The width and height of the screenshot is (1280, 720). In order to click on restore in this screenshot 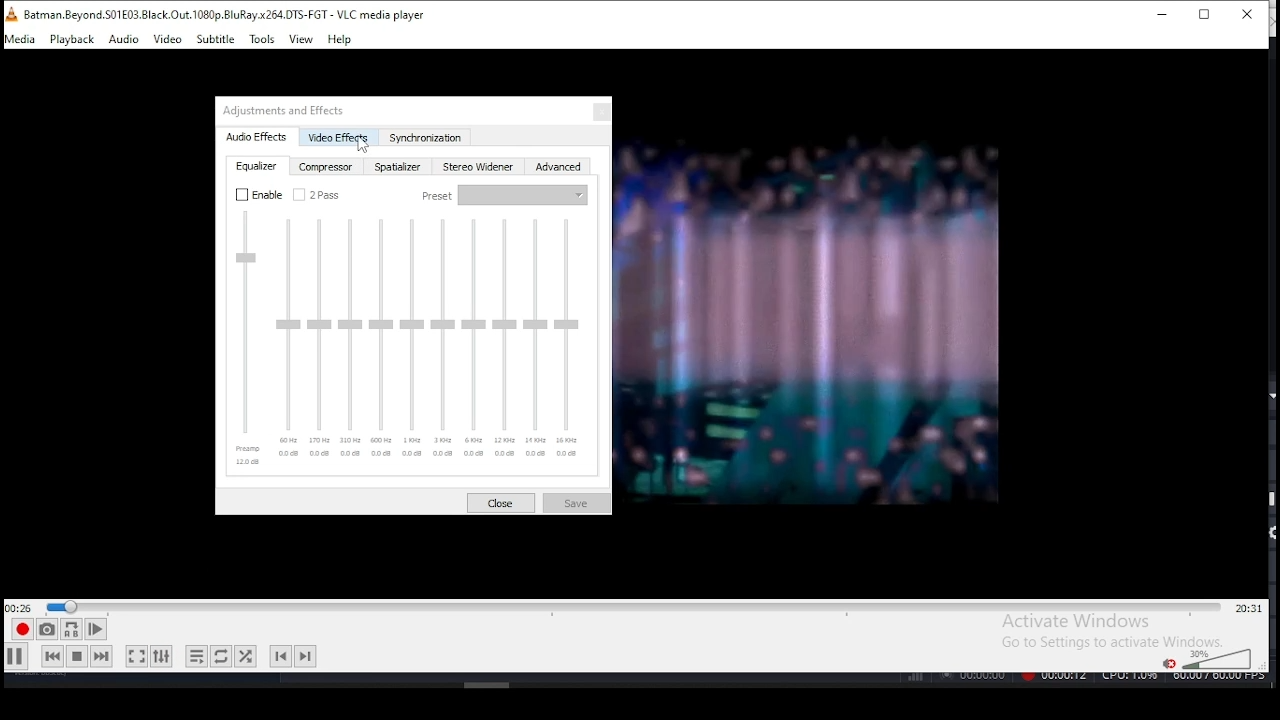, I will do `click(1204, 16)`.